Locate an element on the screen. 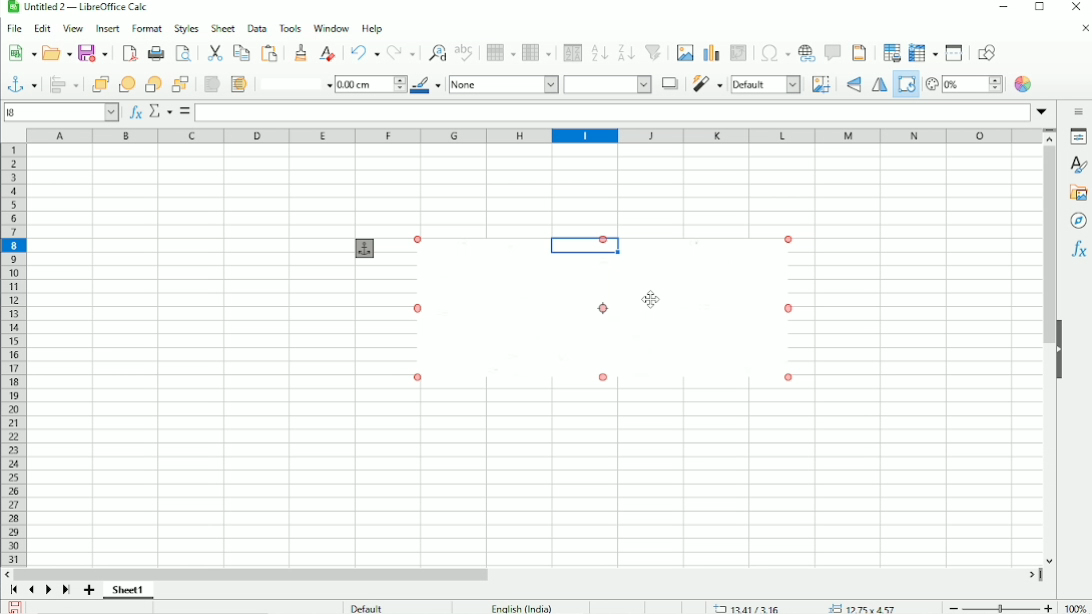  Headers and footers is located at coordinates (860, 52).